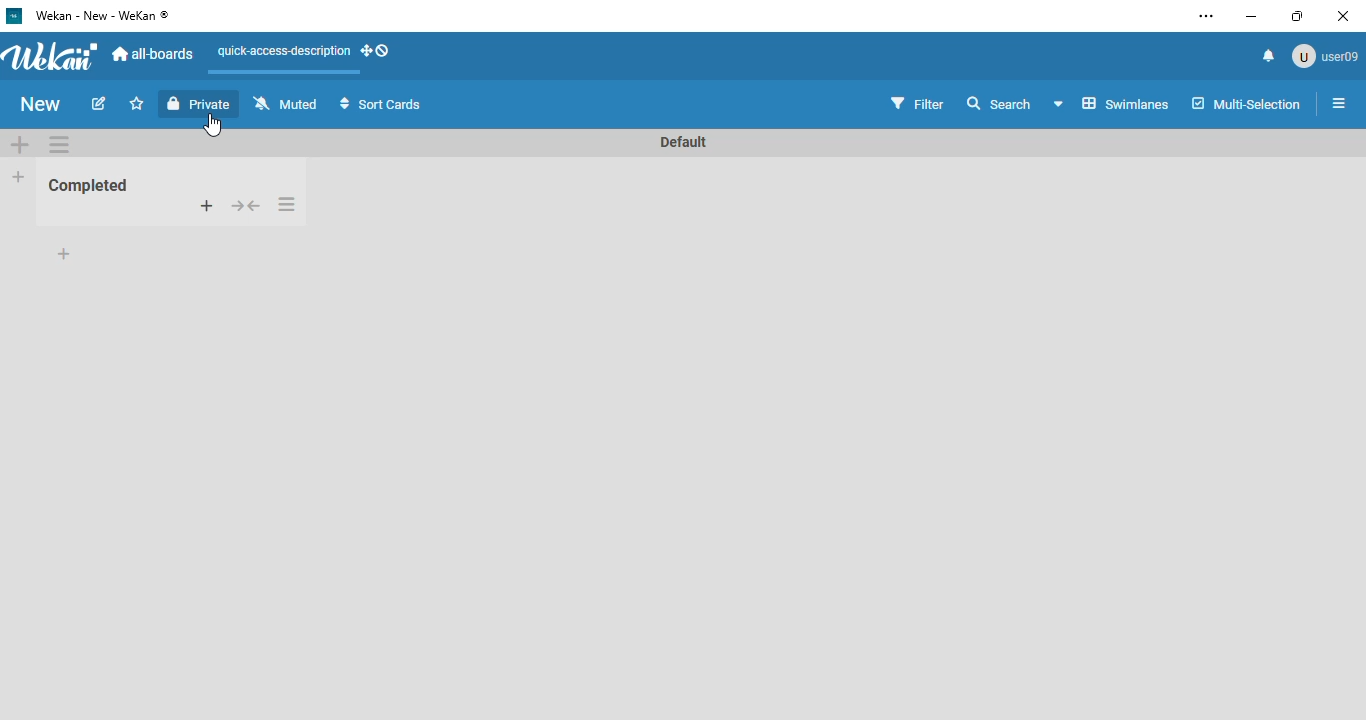 Image resolution: width=1366 pixels, height=720 pixels. Describe the element at coordinates (1246, 104) in the screenshot. I see `multi-selection` at that location.